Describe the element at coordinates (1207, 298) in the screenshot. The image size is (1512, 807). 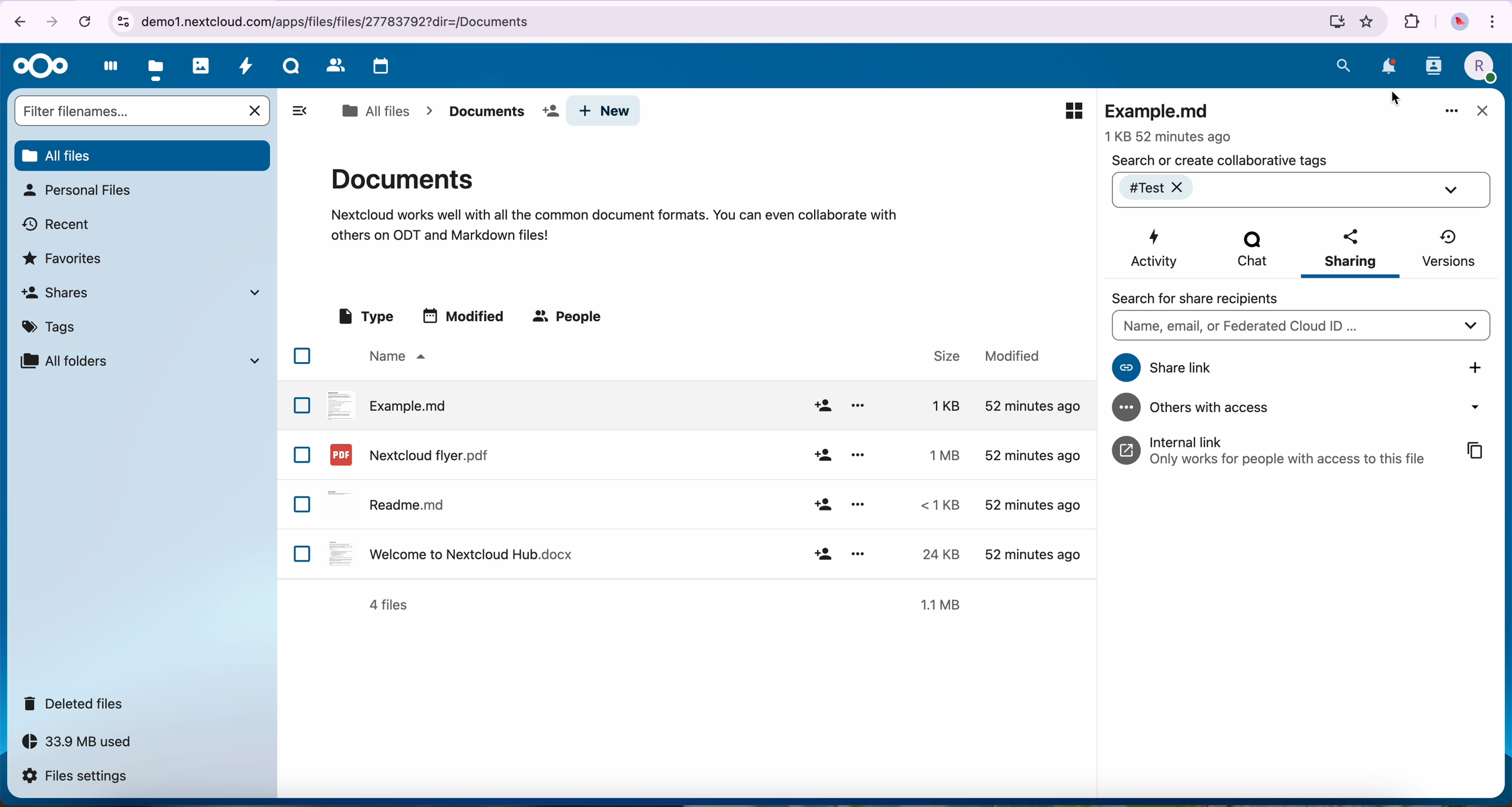
I see `search for share recipients` at that location.